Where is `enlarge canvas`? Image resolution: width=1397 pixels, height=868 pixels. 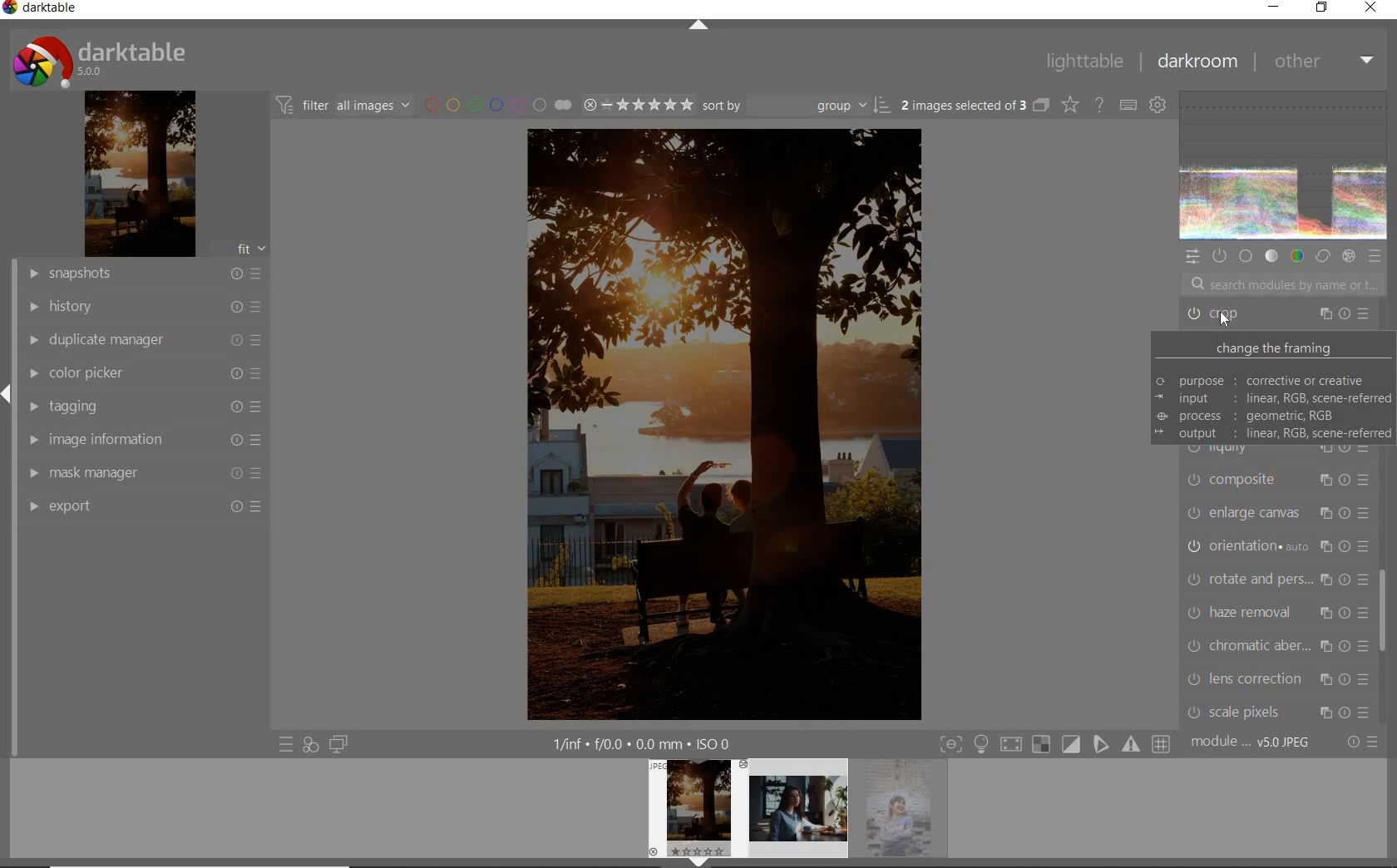 enlarge canvas is located at coordinates (1278, 514).